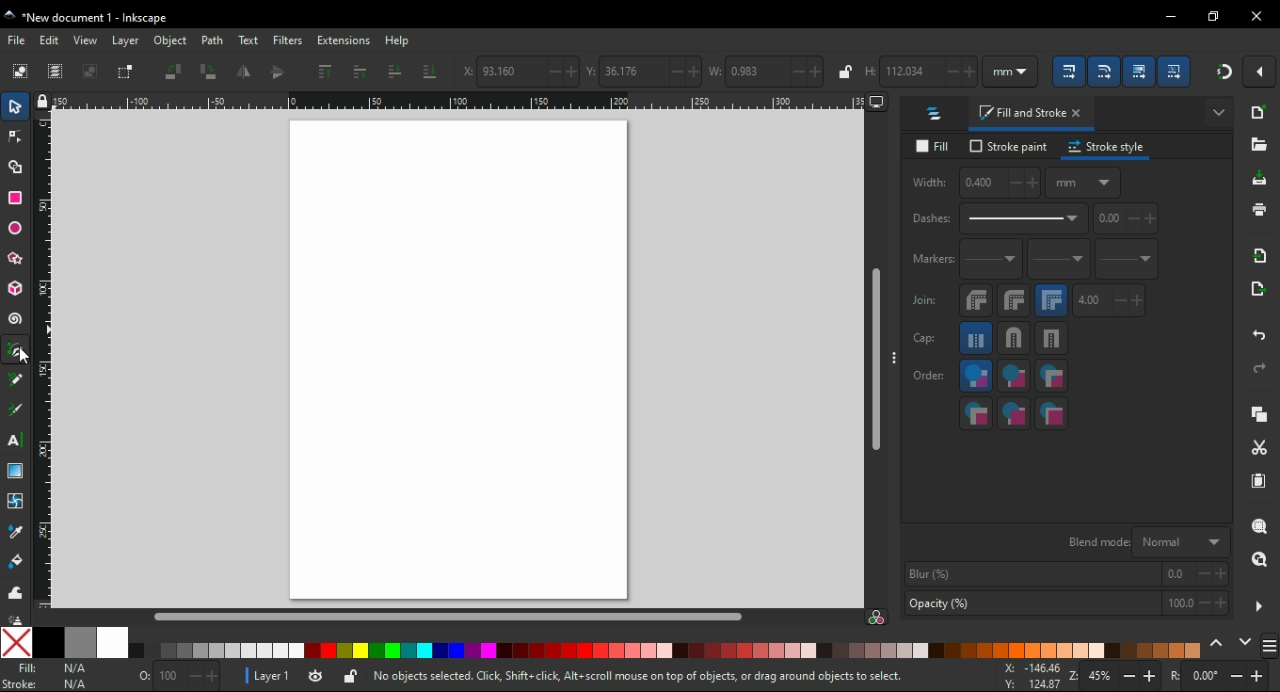  Describe the element at coordinates (219, 651) in the screenshot. I see `color tone pallete` at that location.